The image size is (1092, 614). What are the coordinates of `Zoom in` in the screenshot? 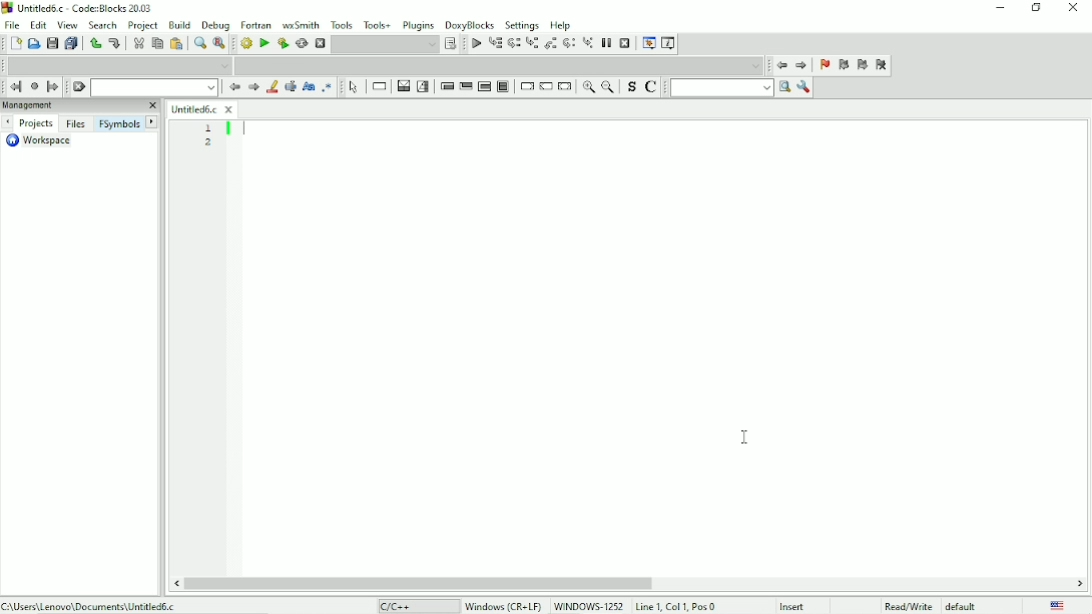 It's located at (590, 88).